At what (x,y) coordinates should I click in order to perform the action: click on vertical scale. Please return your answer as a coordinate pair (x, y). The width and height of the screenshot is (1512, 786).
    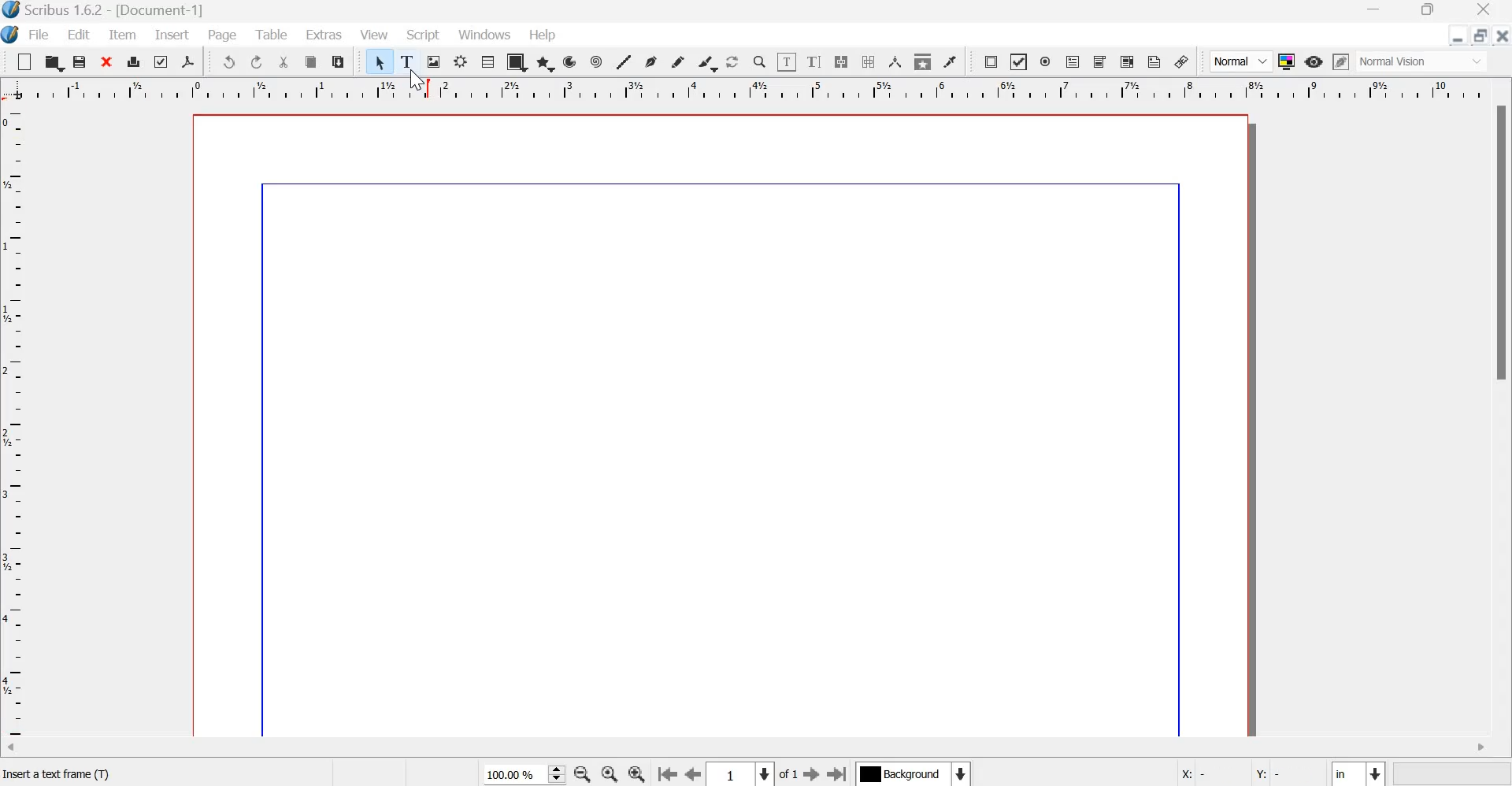
    Looking at the image, I should click on (17, 424).